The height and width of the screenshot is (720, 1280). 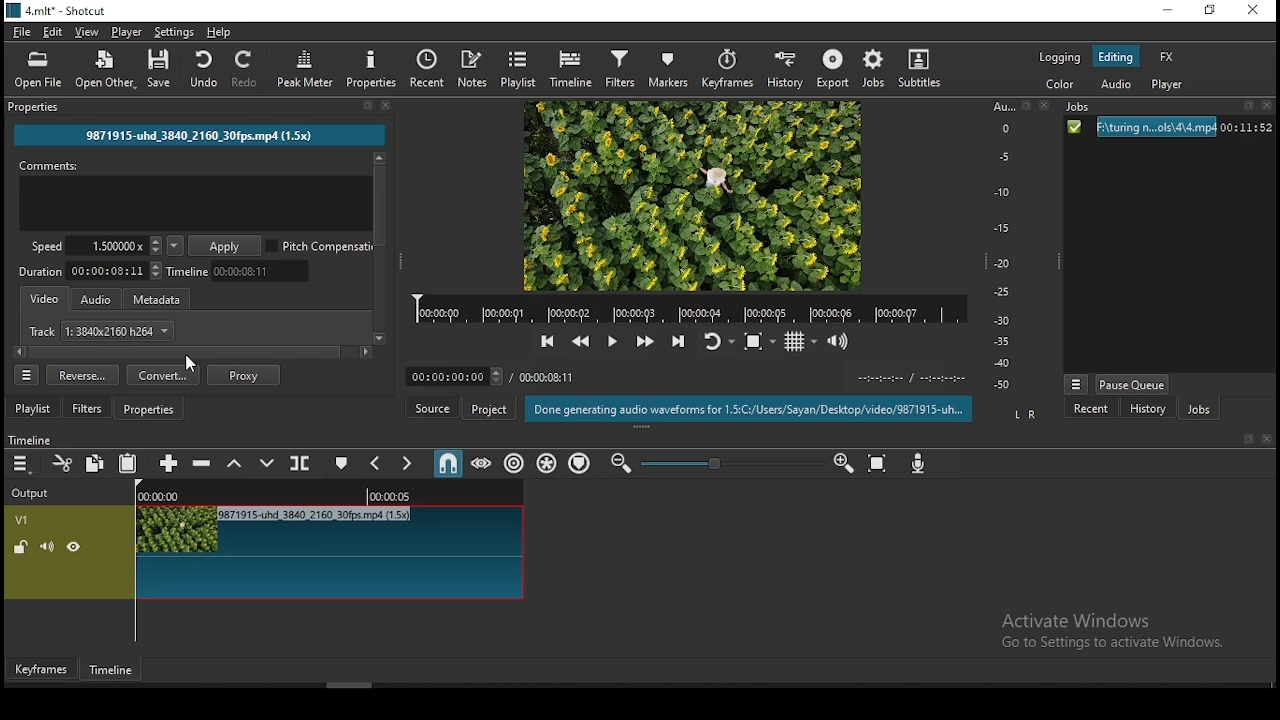 What do you see at coordinates (34, 105) in the screenshot?
I see `properties` at bounding box center [34, 105].